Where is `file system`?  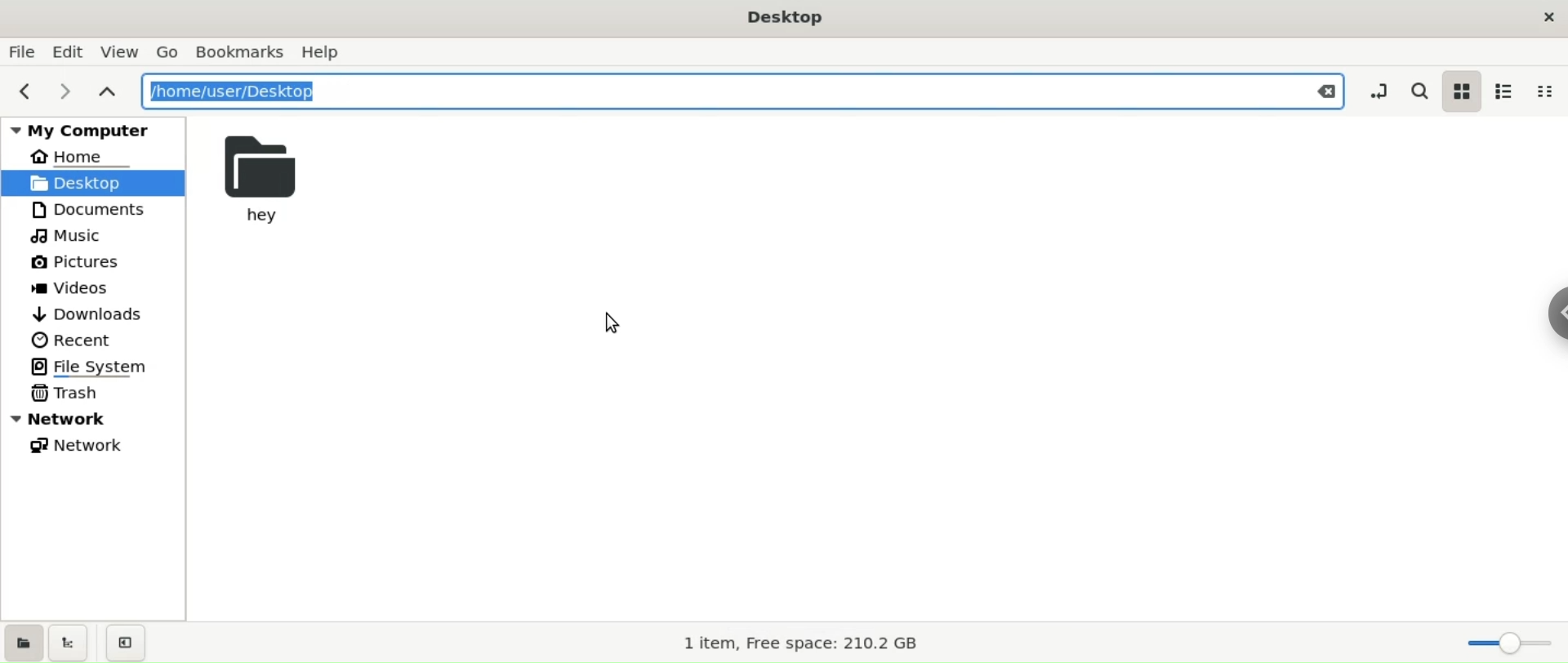 file system is located at coordinates (102, 365).